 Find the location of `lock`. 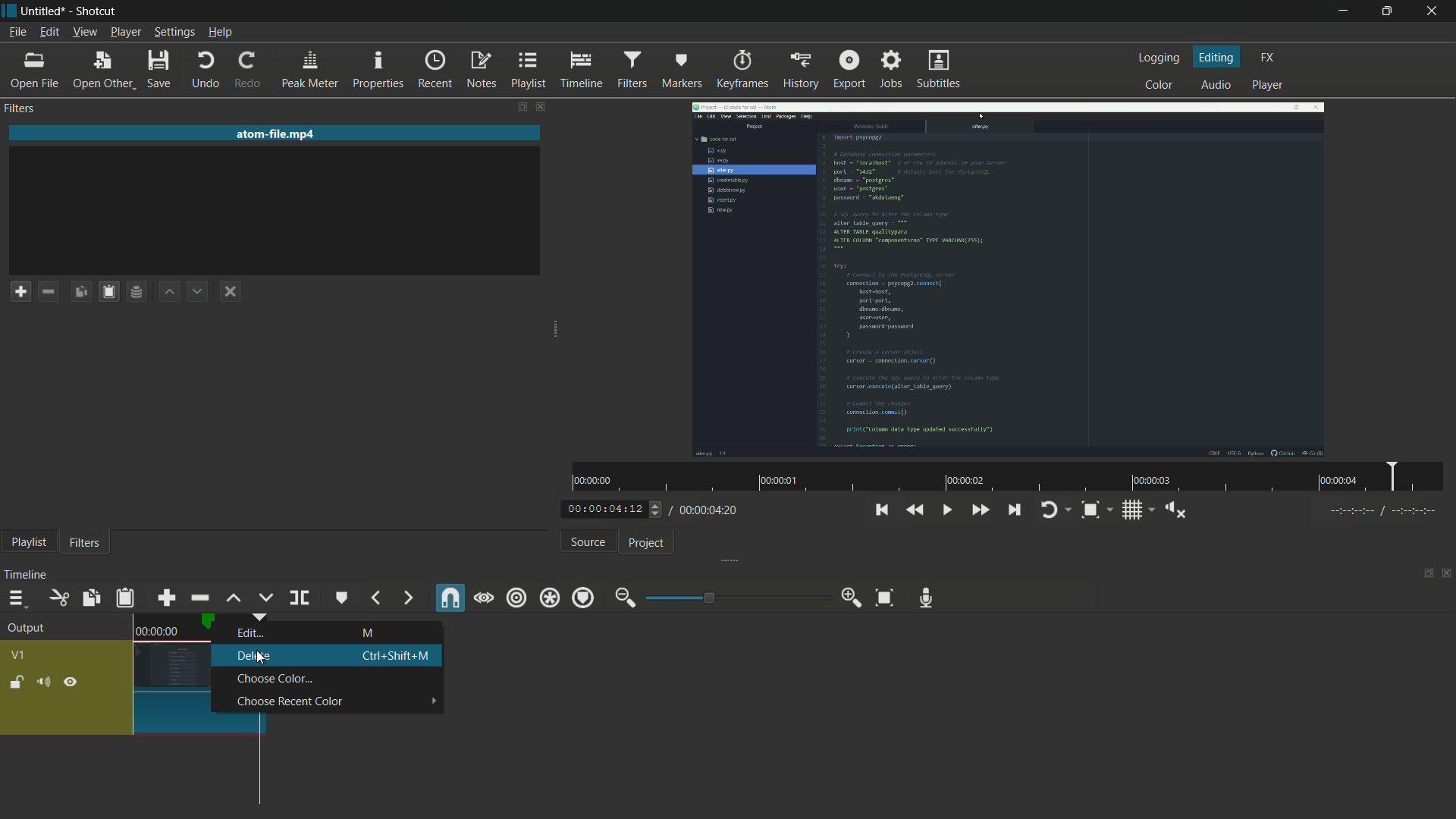

lock is located at coordinates (16, 680).